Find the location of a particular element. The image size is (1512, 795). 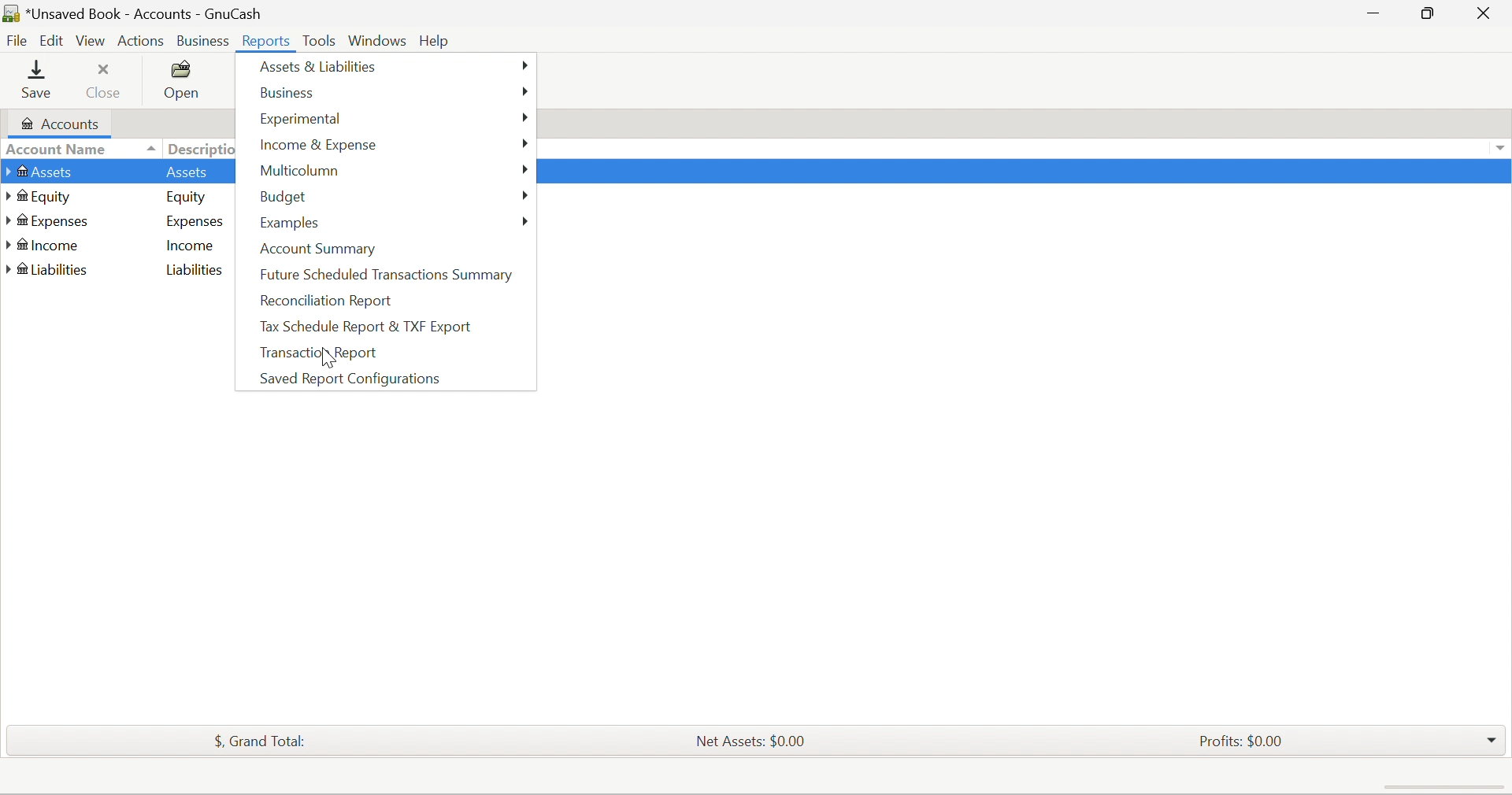

$: Grand Total is located at coordinates (254, 742).